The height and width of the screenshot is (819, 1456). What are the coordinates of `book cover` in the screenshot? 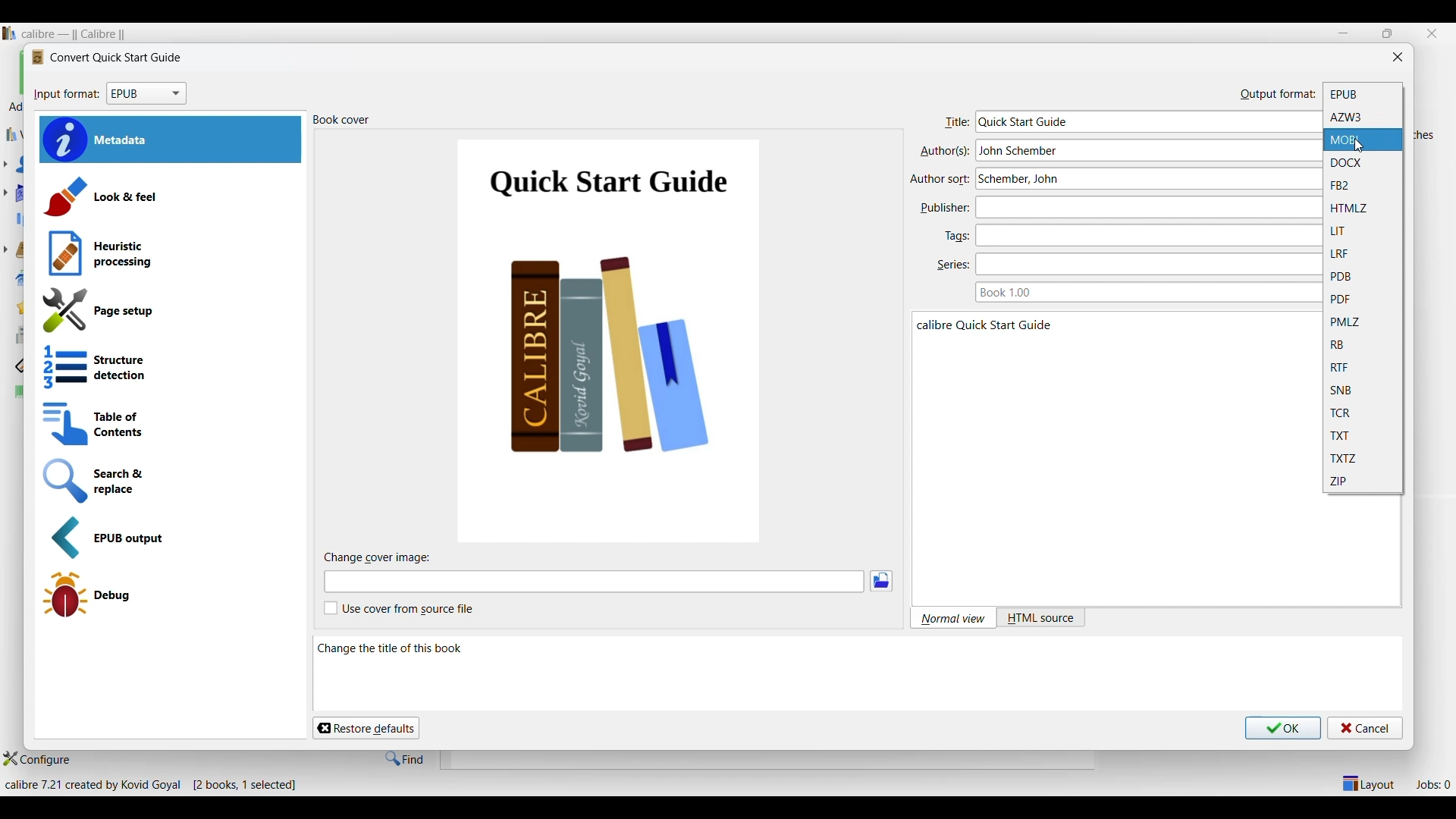 It's located at (344, 121).